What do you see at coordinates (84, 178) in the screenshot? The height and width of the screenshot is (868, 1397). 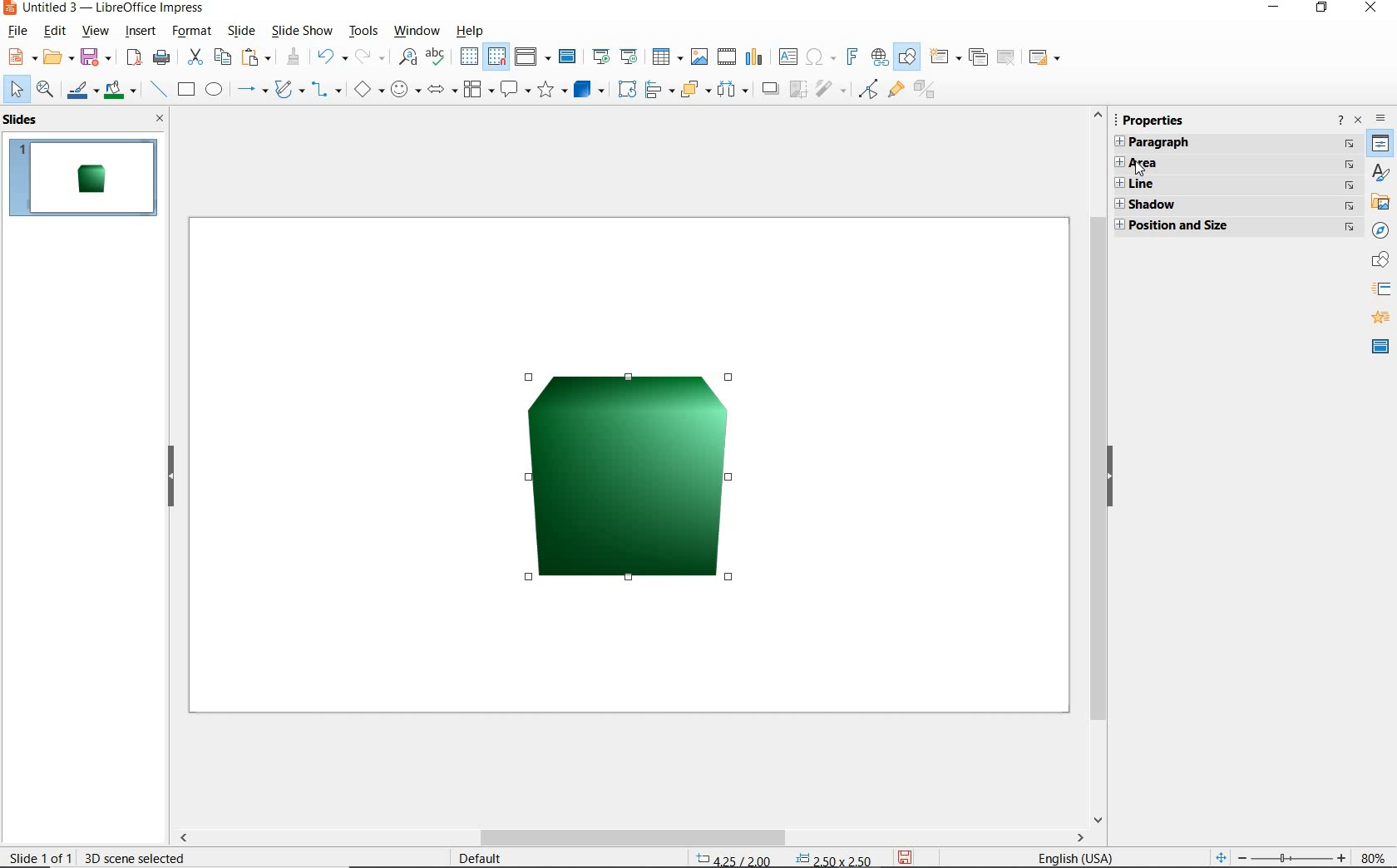 I see `SLIDE1` at bounding box center [84, 178].